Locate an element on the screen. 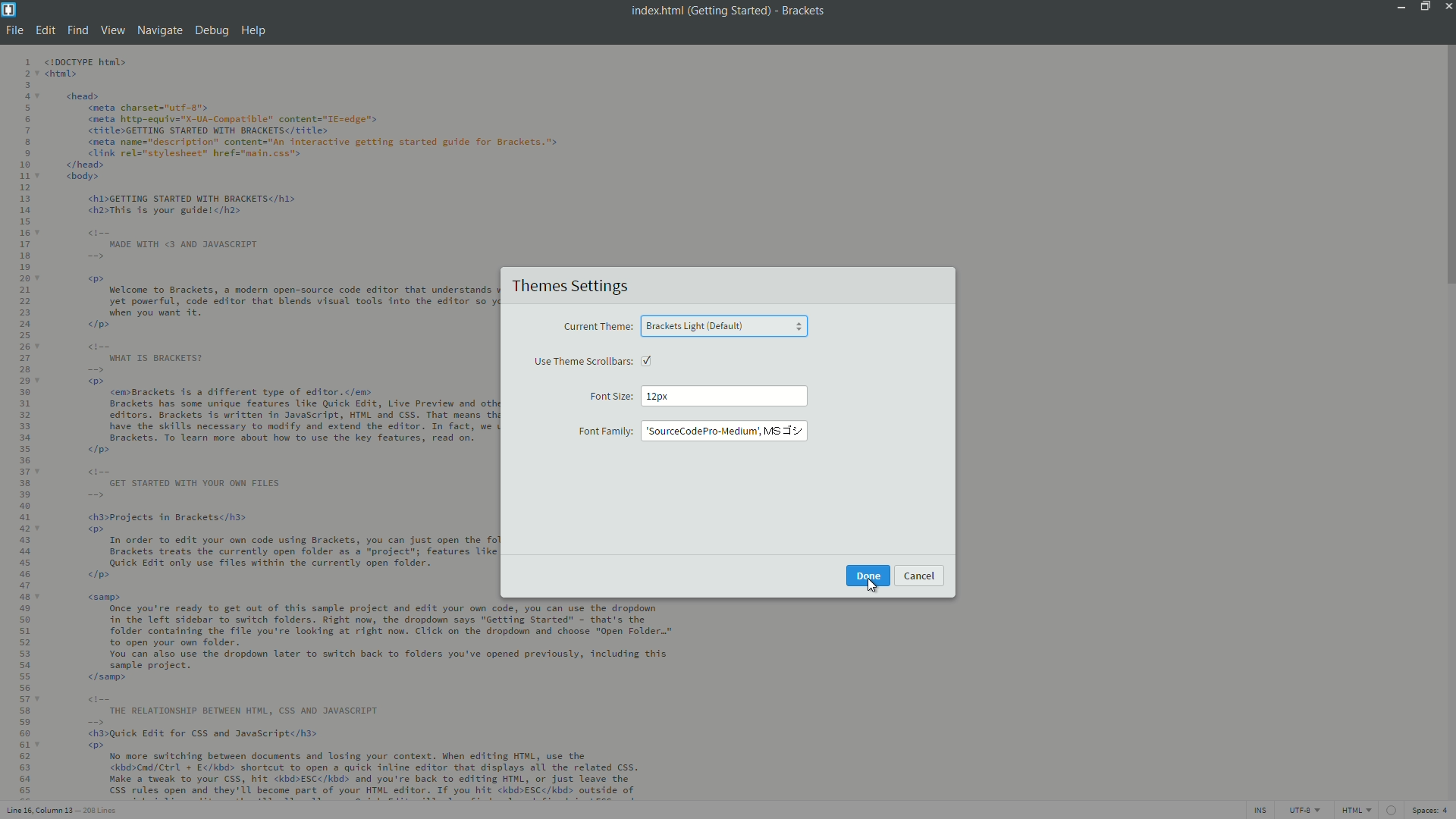 This screenshot has width=1456, height=819. app icon is located at coordinates (9, 8).